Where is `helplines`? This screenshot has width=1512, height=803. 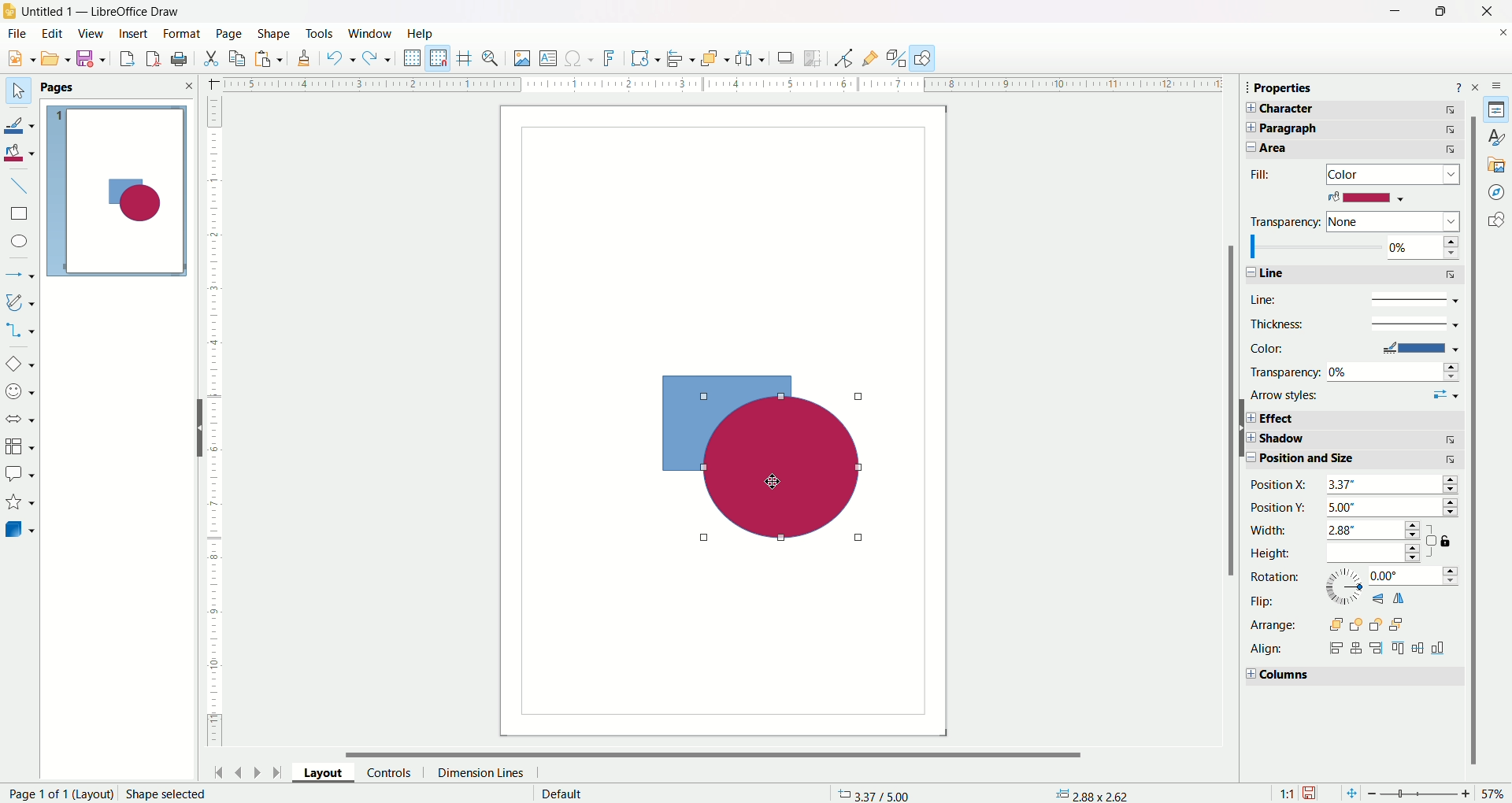
helplines is located at coordinates (465, 57).